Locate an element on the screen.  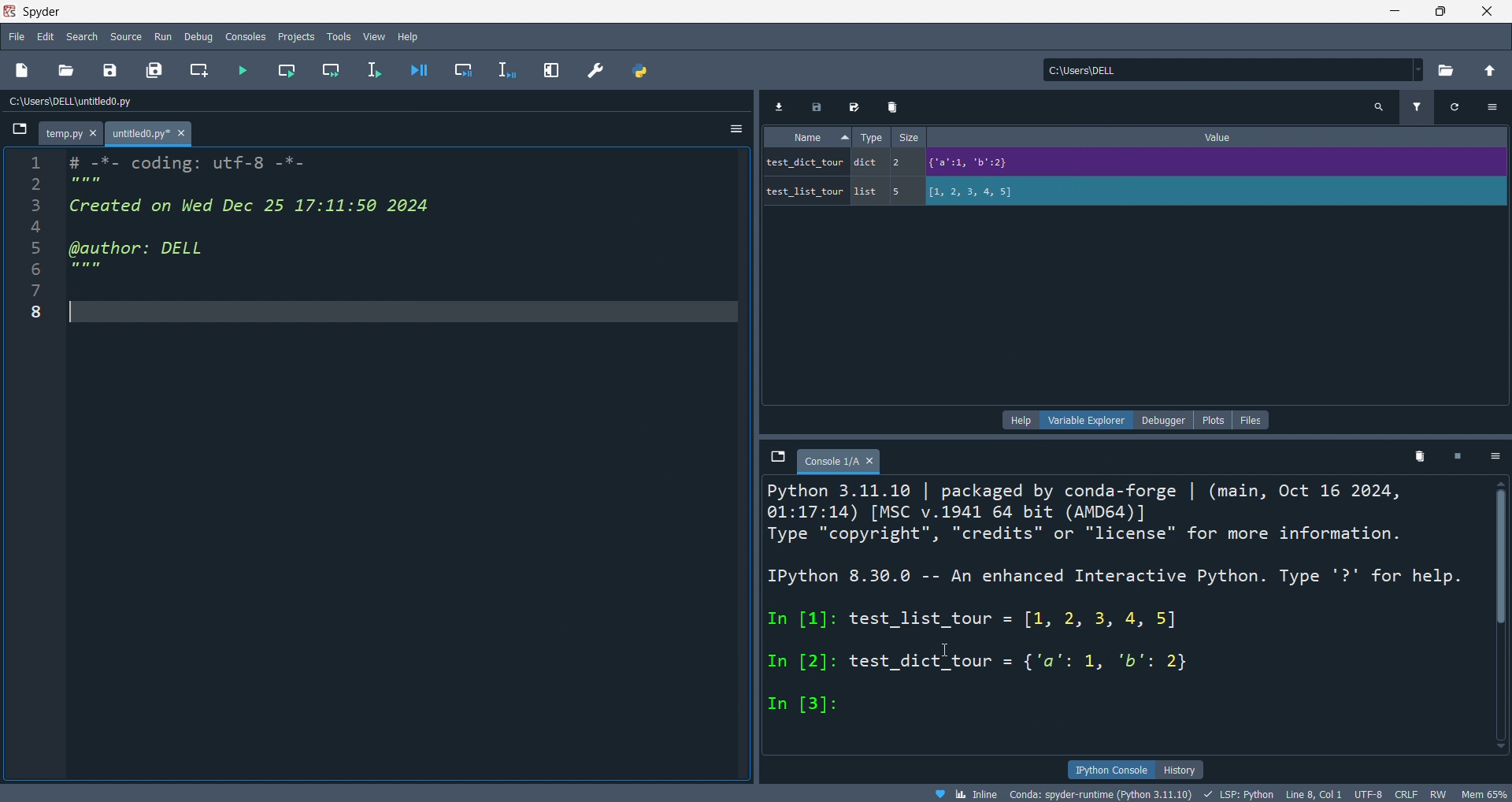
delete variables is located at coordinates (1419, 456).